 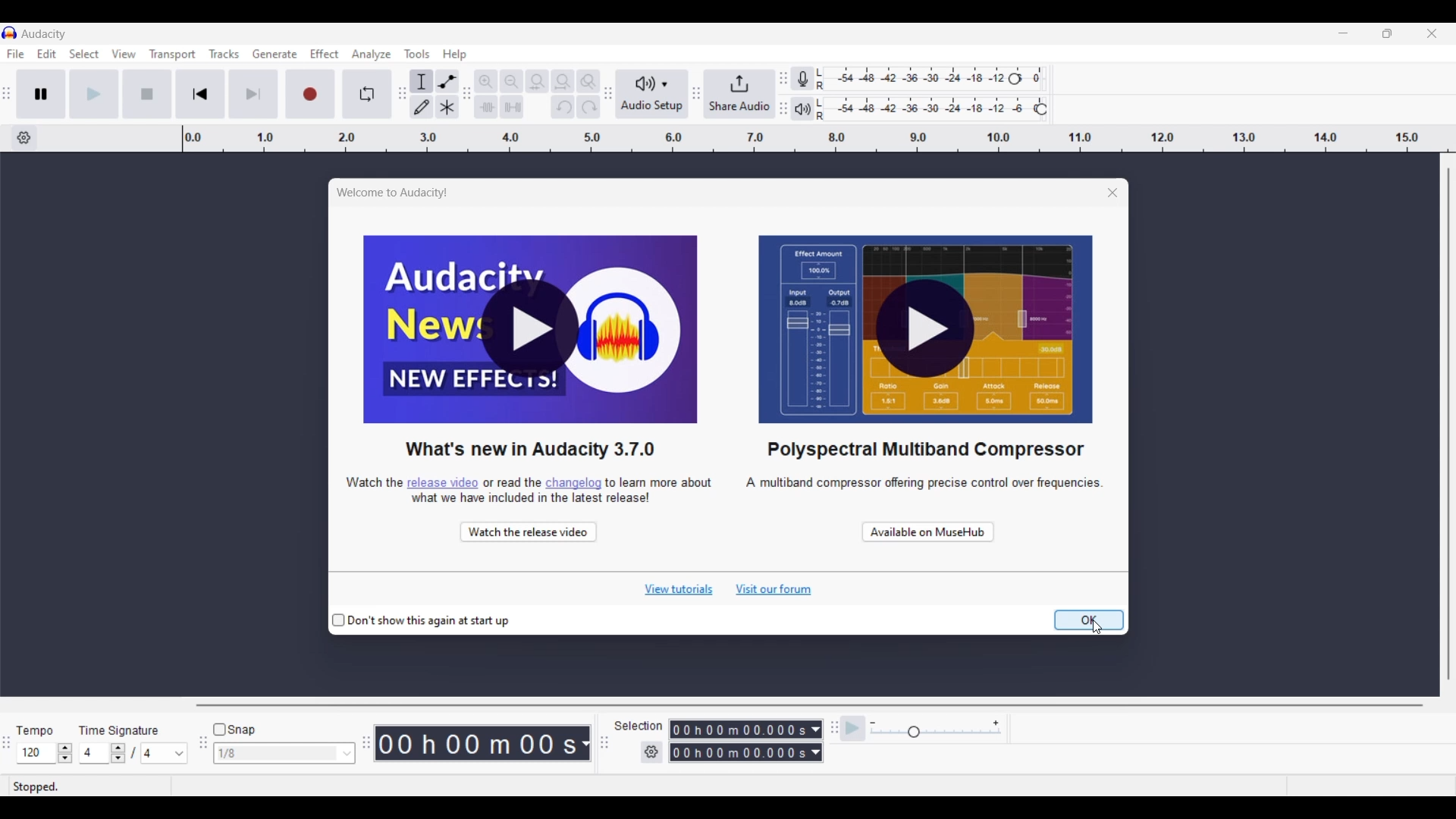 I want to click on Minimize, so click(x=1343, y=33).